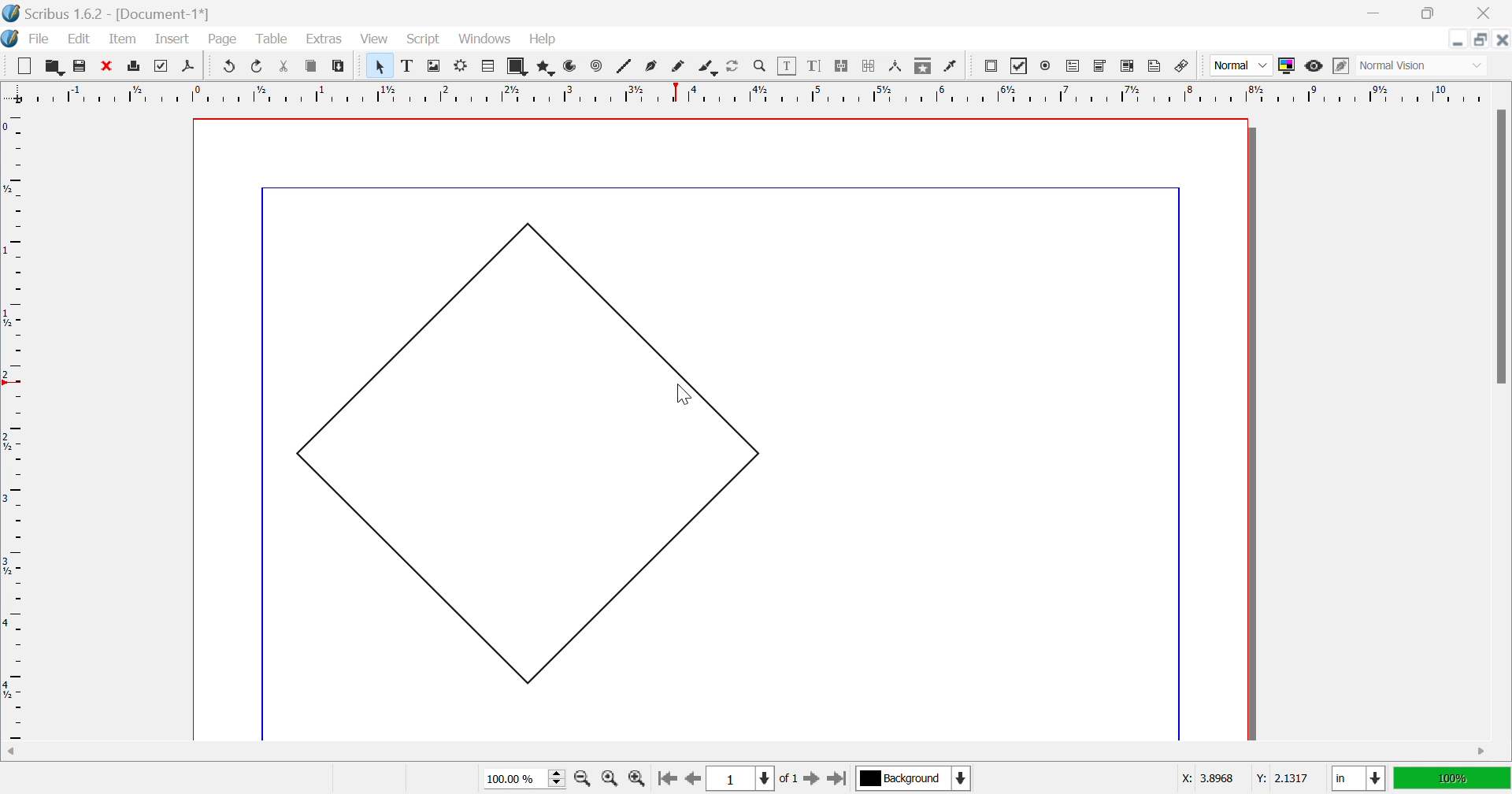 The image size is (1512, 794). What do you see at coordinates (1488, 13) in the screenshot?
I see `Close` at bounding box center [1488, 13].